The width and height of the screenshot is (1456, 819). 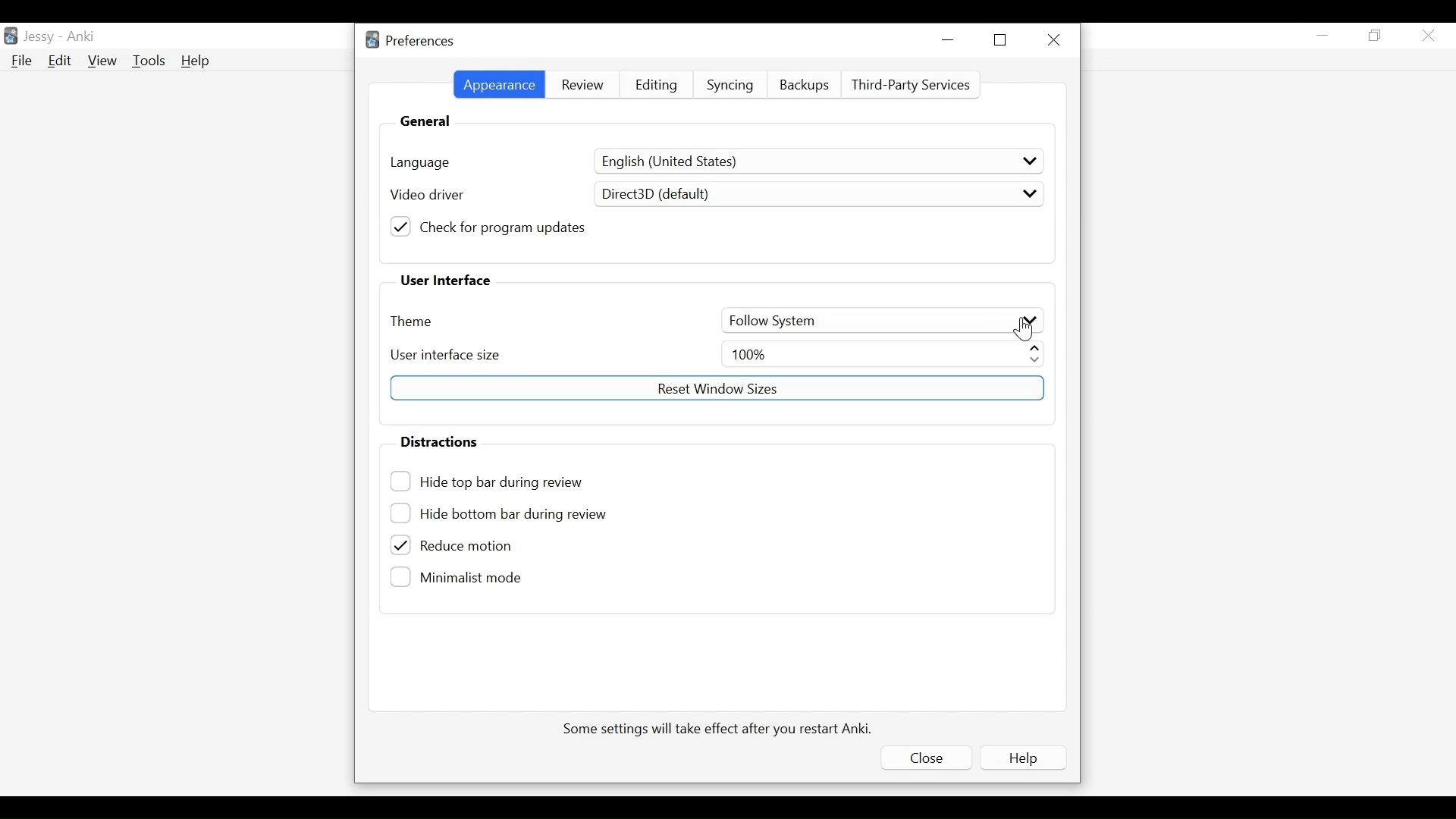 I want to click on language, so click(x=421, y=162).